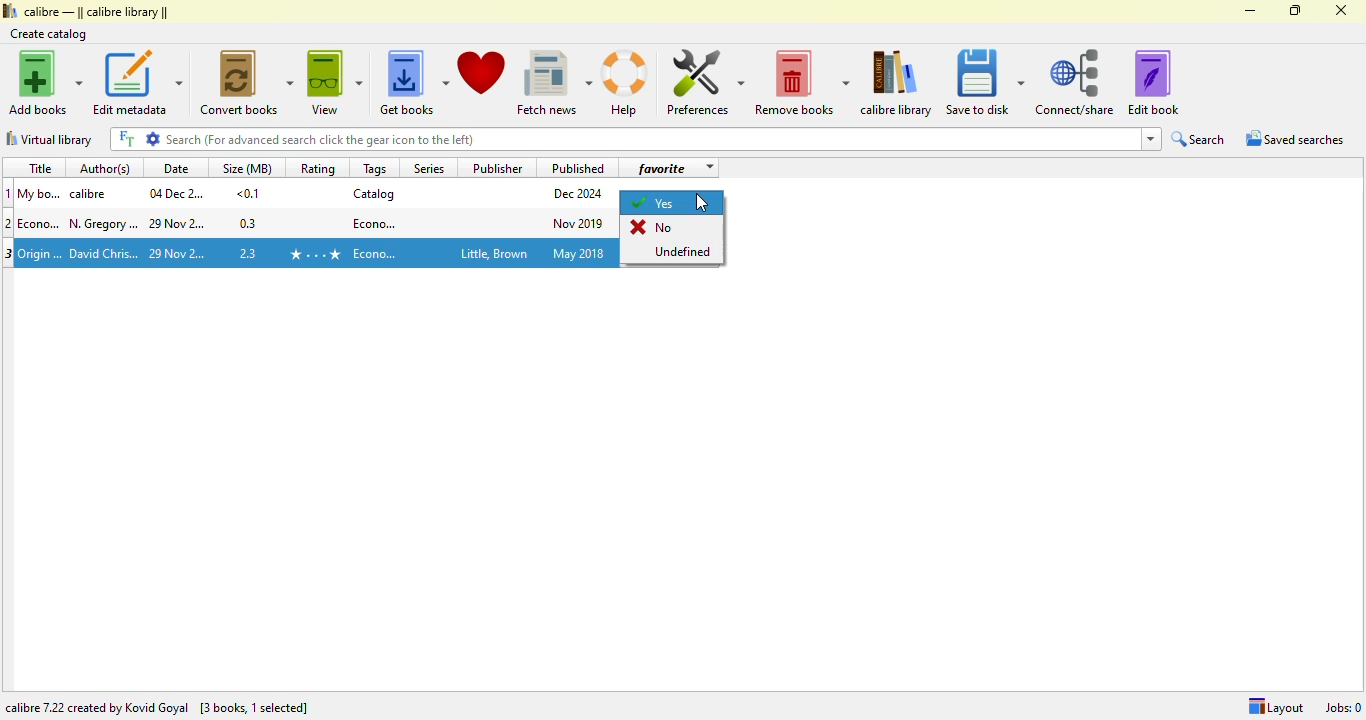 The image size is (1366, 720). Describe the element at coordinates (374, 193) in the screenshot. I see `catalog` at that location.